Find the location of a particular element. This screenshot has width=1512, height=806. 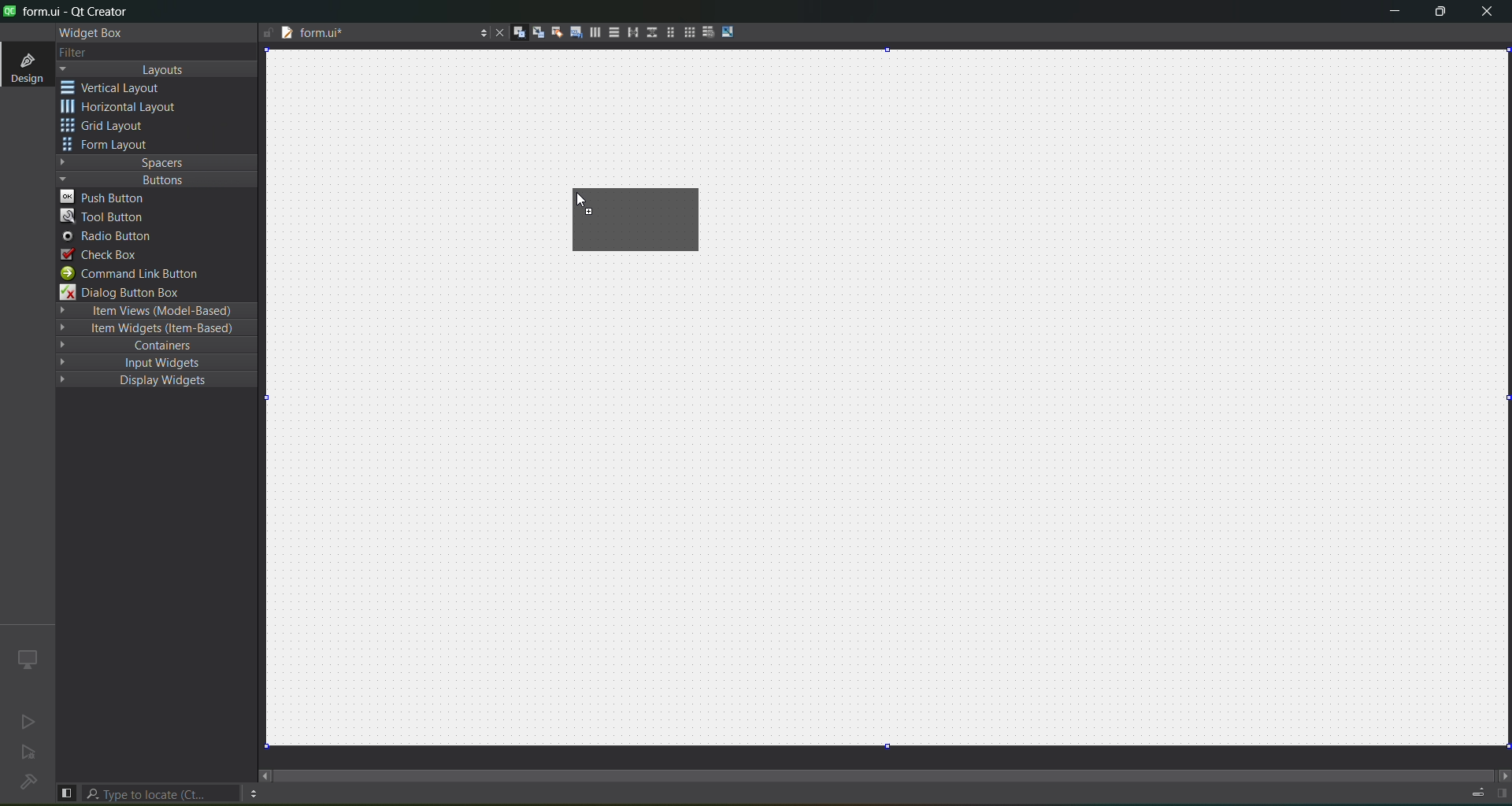

horizontal layoutt is located at coordinates (595, 35).